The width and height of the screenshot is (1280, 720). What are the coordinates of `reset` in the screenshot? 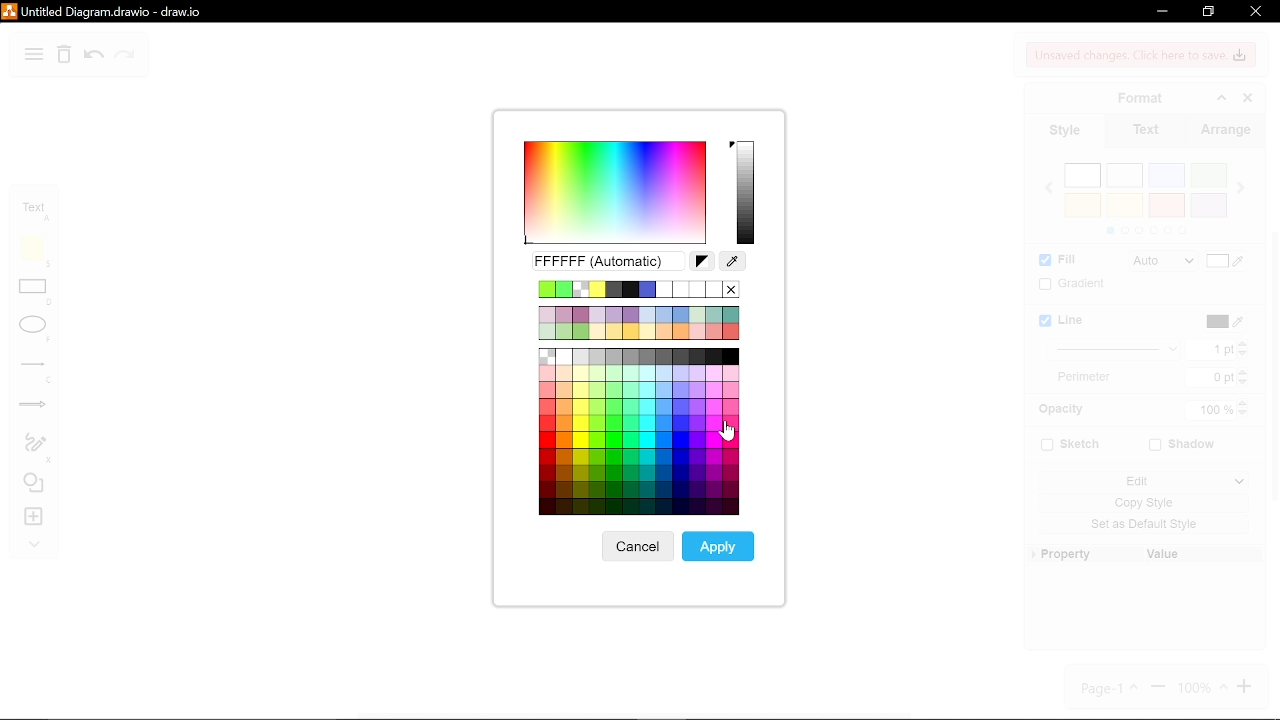 It's located at (701, 262).